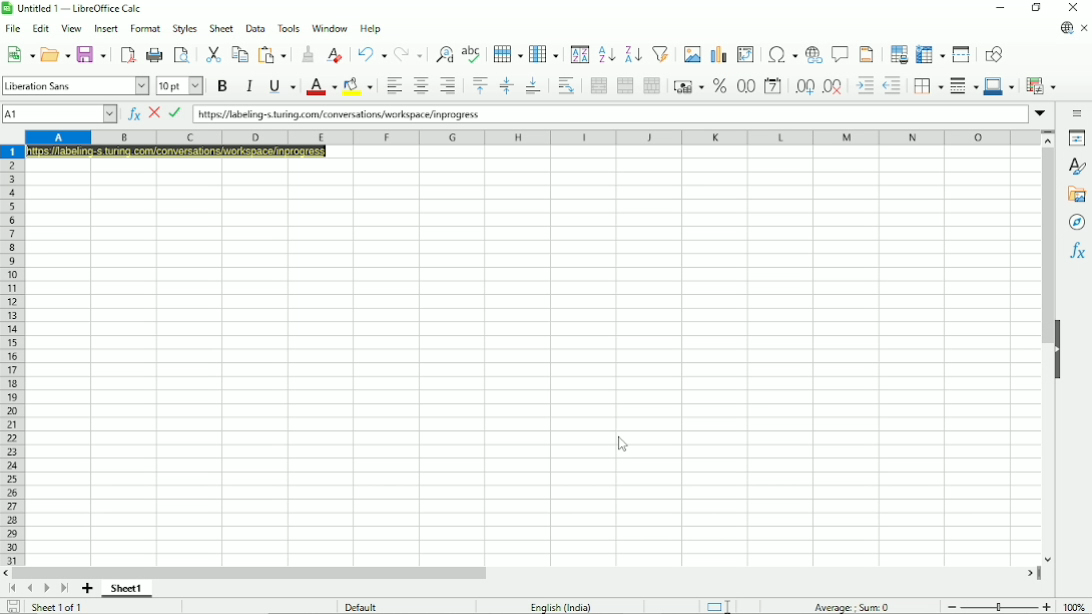 This screenshot has height=614, width=1092. What do you see at coordinates (813, 56) in the screenshot?
I see `Insert hyperlink` at bounding box center [813, 56].